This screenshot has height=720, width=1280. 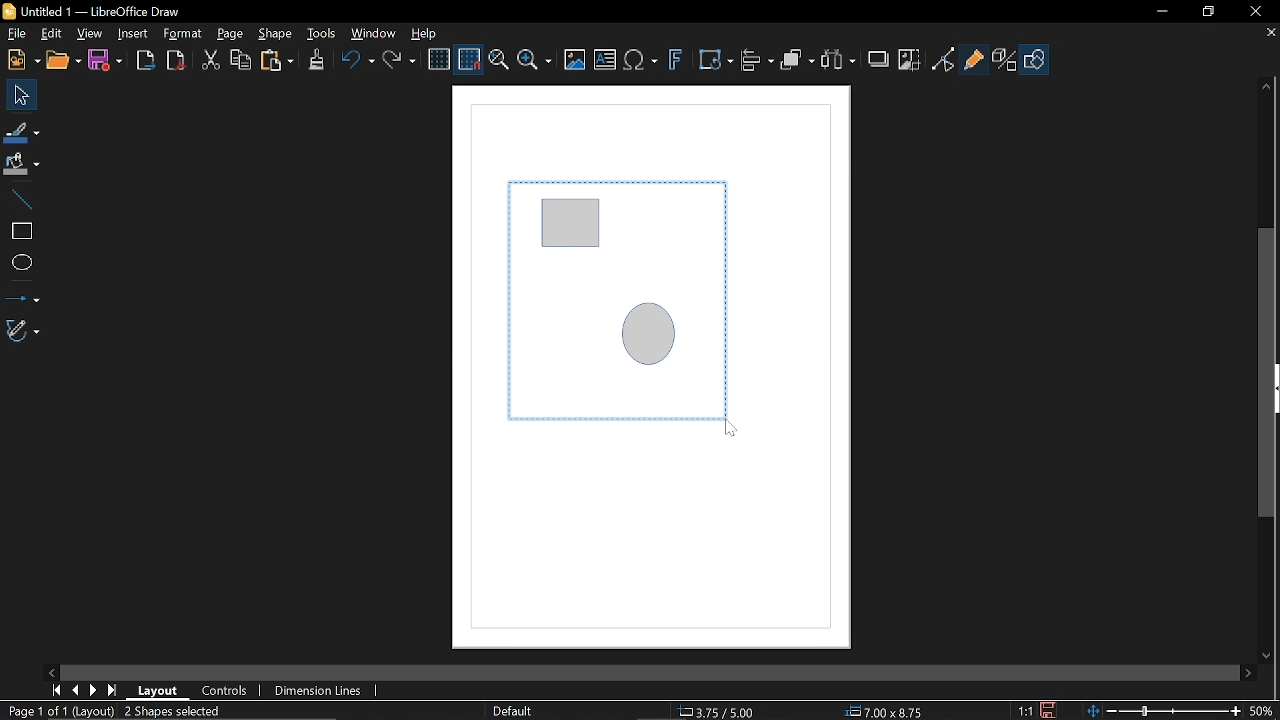 What do you see at coordinates (428, 33) in the screenshot?
I see `Help` at bounding box center [428, 33].